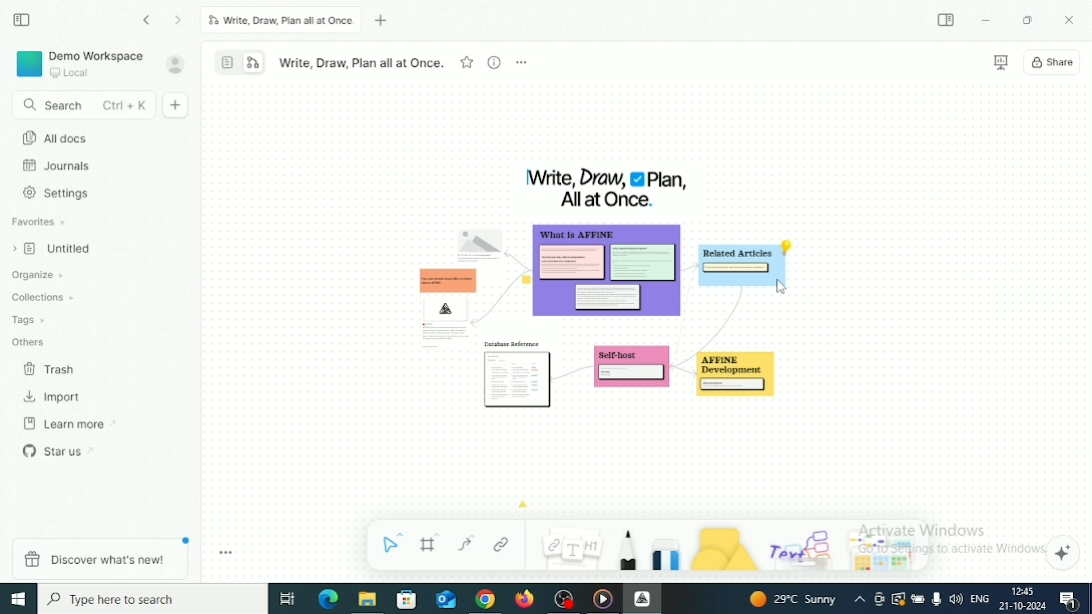  Describe the element at coordinates (466, 543) in the screenshot. I see `Curve` at that location.